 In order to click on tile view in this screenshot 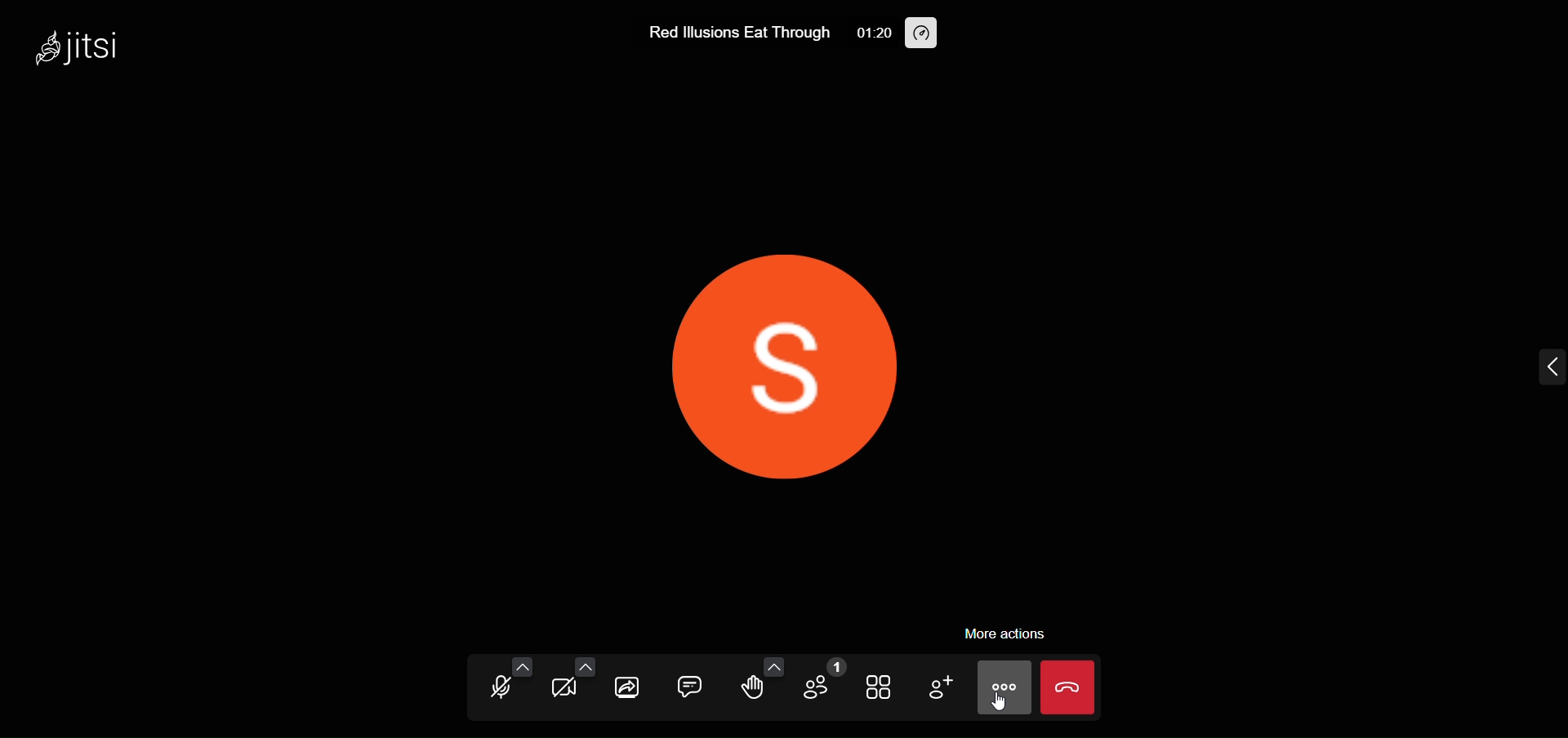, I will do `click(876, 687)`.